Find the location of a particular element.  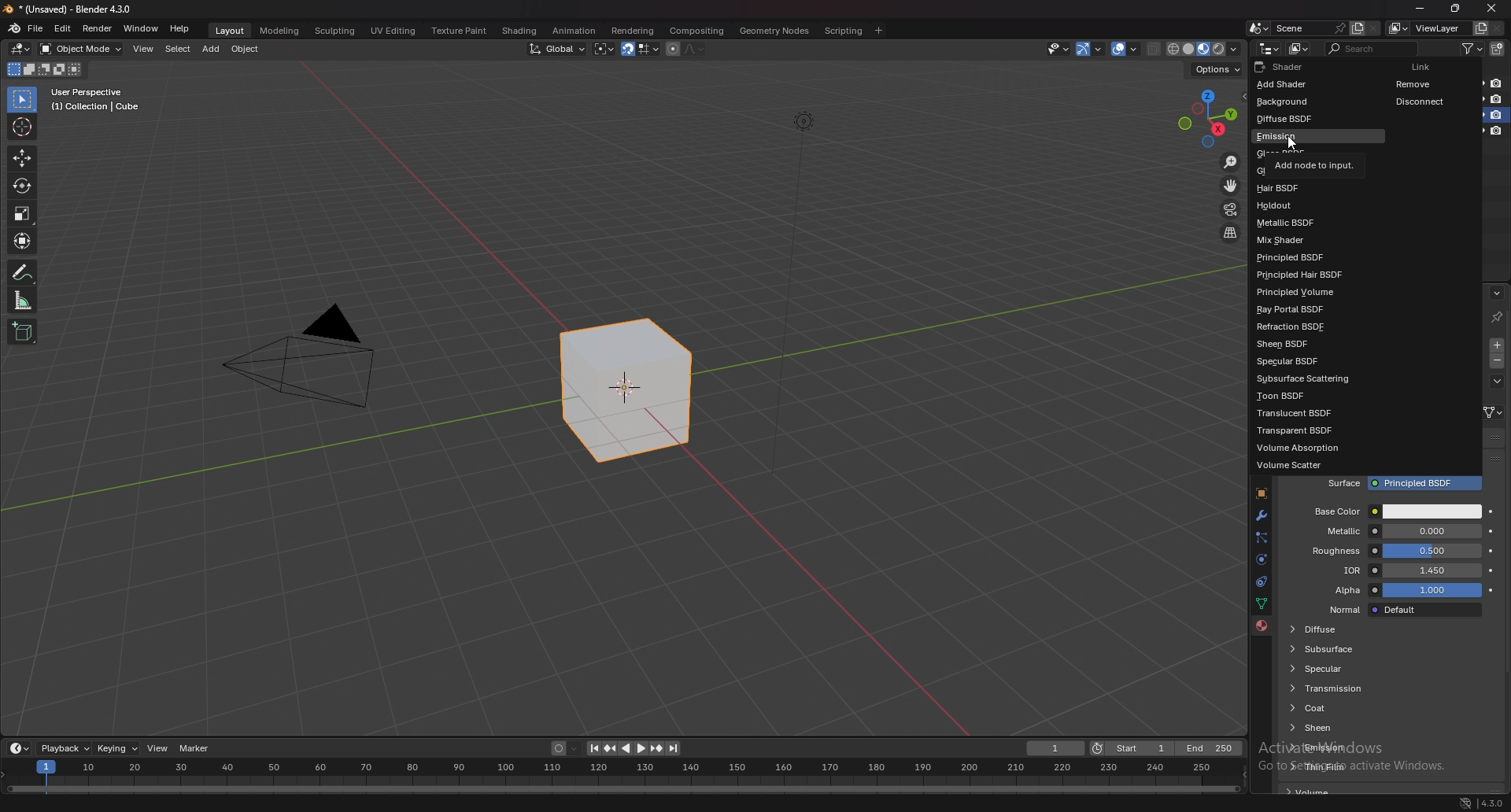

mode is located at coordinates (42, 72).